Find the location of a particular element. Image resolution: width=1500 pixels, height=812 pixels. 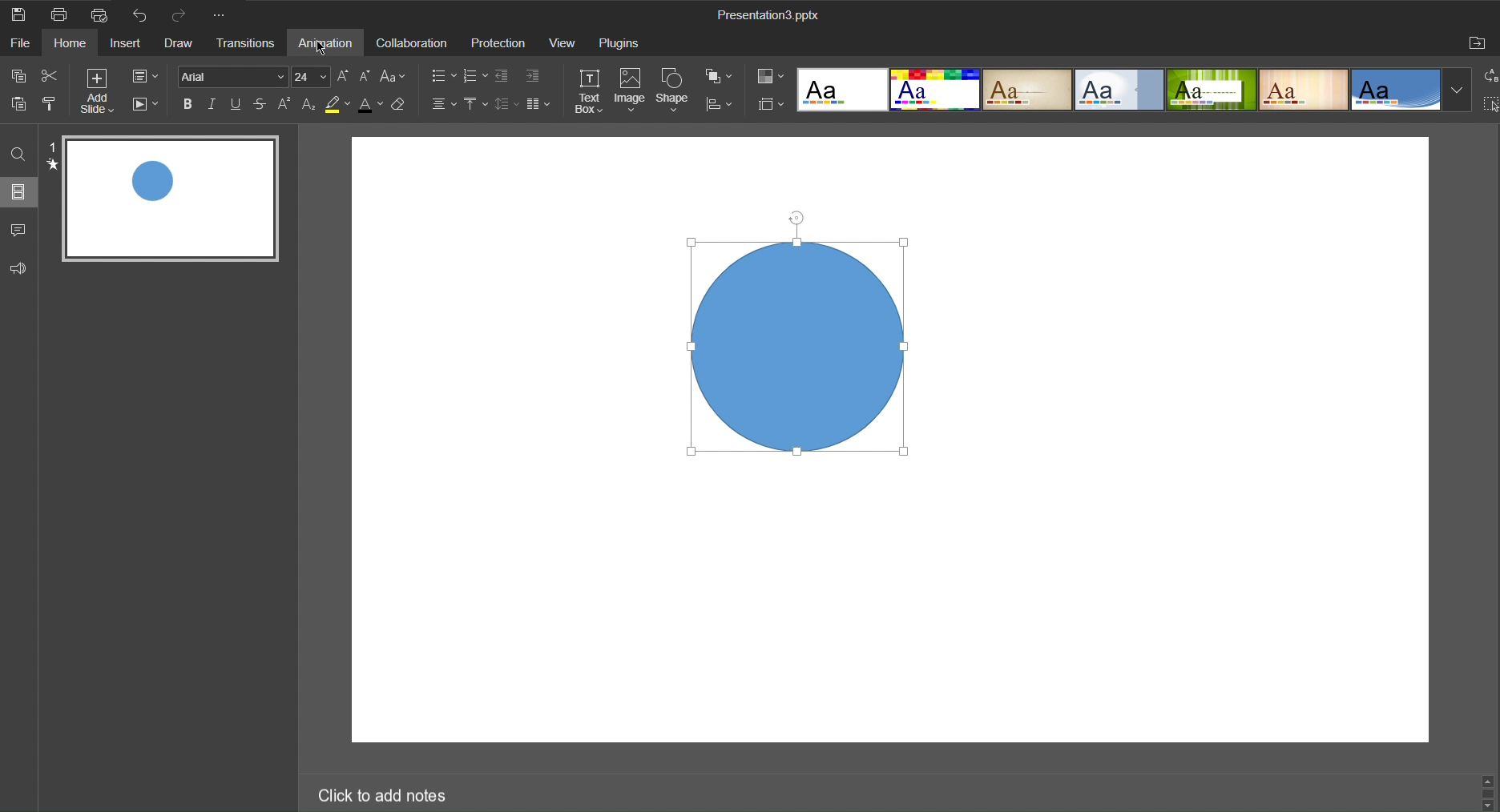

Colors is located at coordinates (769, 75).